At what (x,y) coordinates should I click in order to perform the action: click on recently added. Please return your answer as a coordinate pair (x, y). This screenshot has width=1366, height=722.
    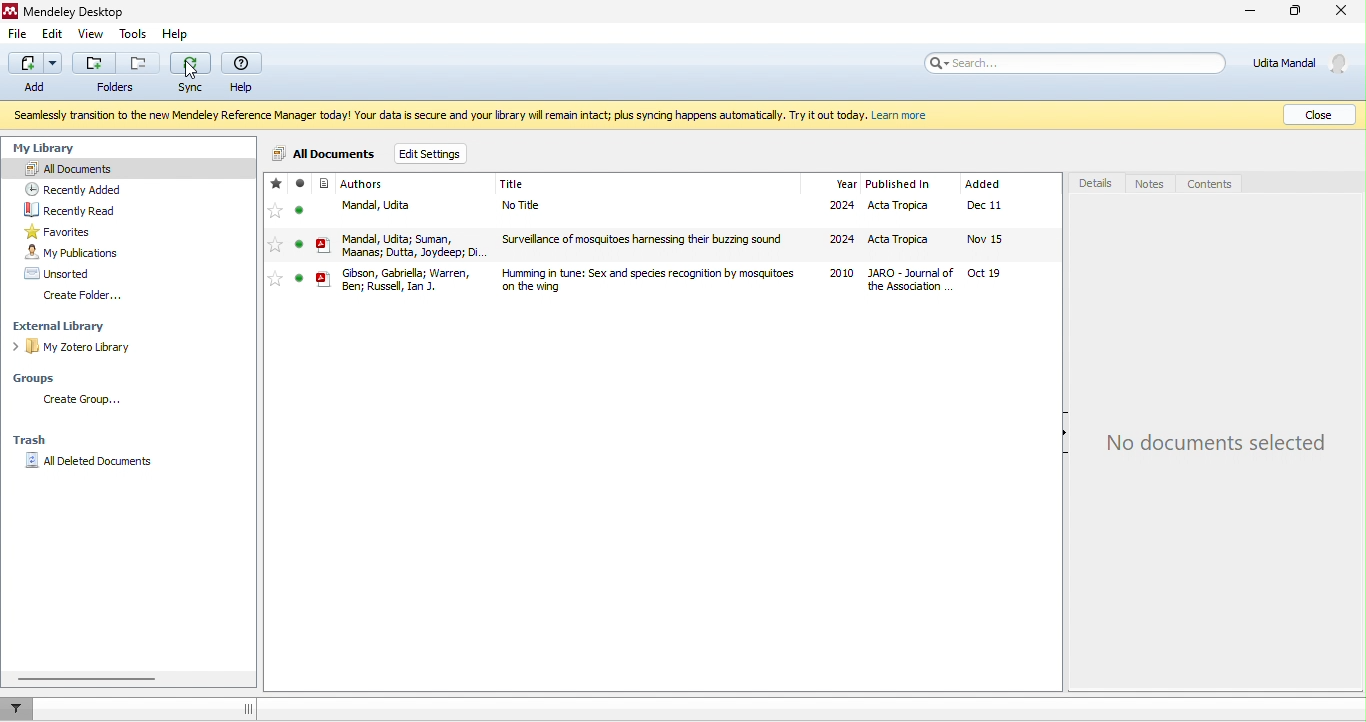
    Looking at the image, I should click on (73, 188).